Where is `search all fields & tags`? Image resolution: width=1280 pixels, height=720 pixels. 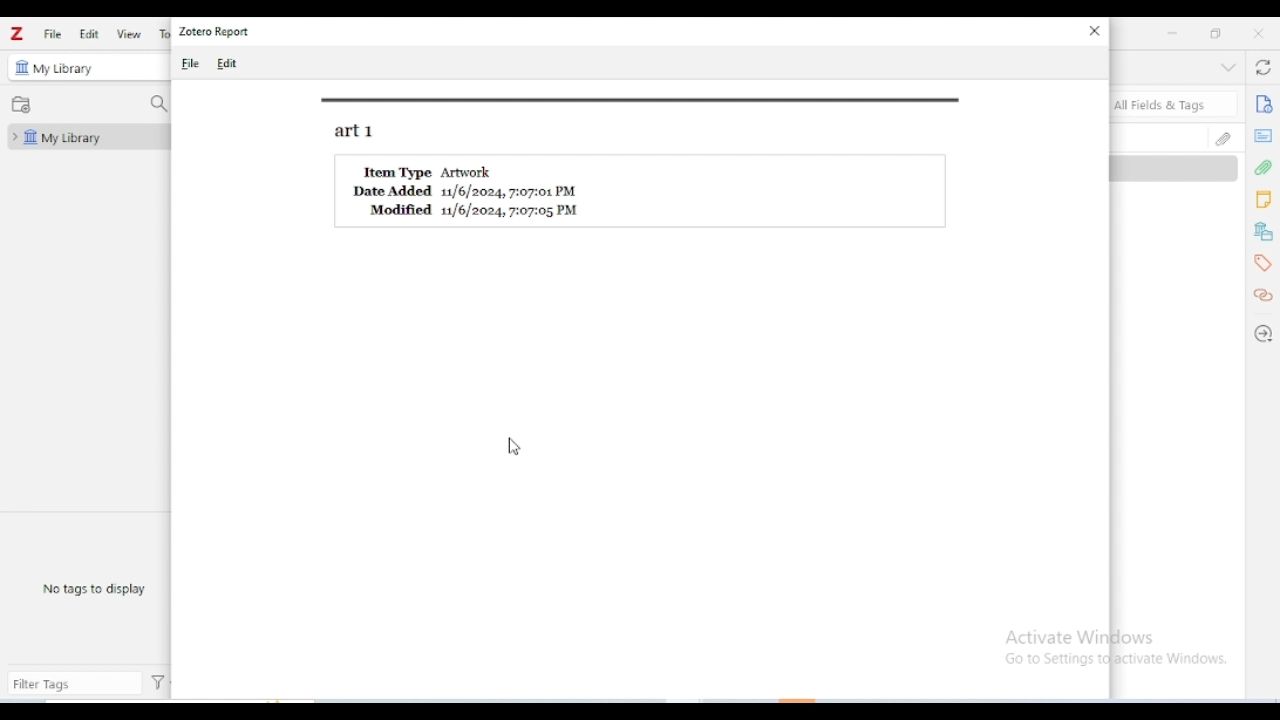 search all fields & tags is located at coordinates (1175, 104).